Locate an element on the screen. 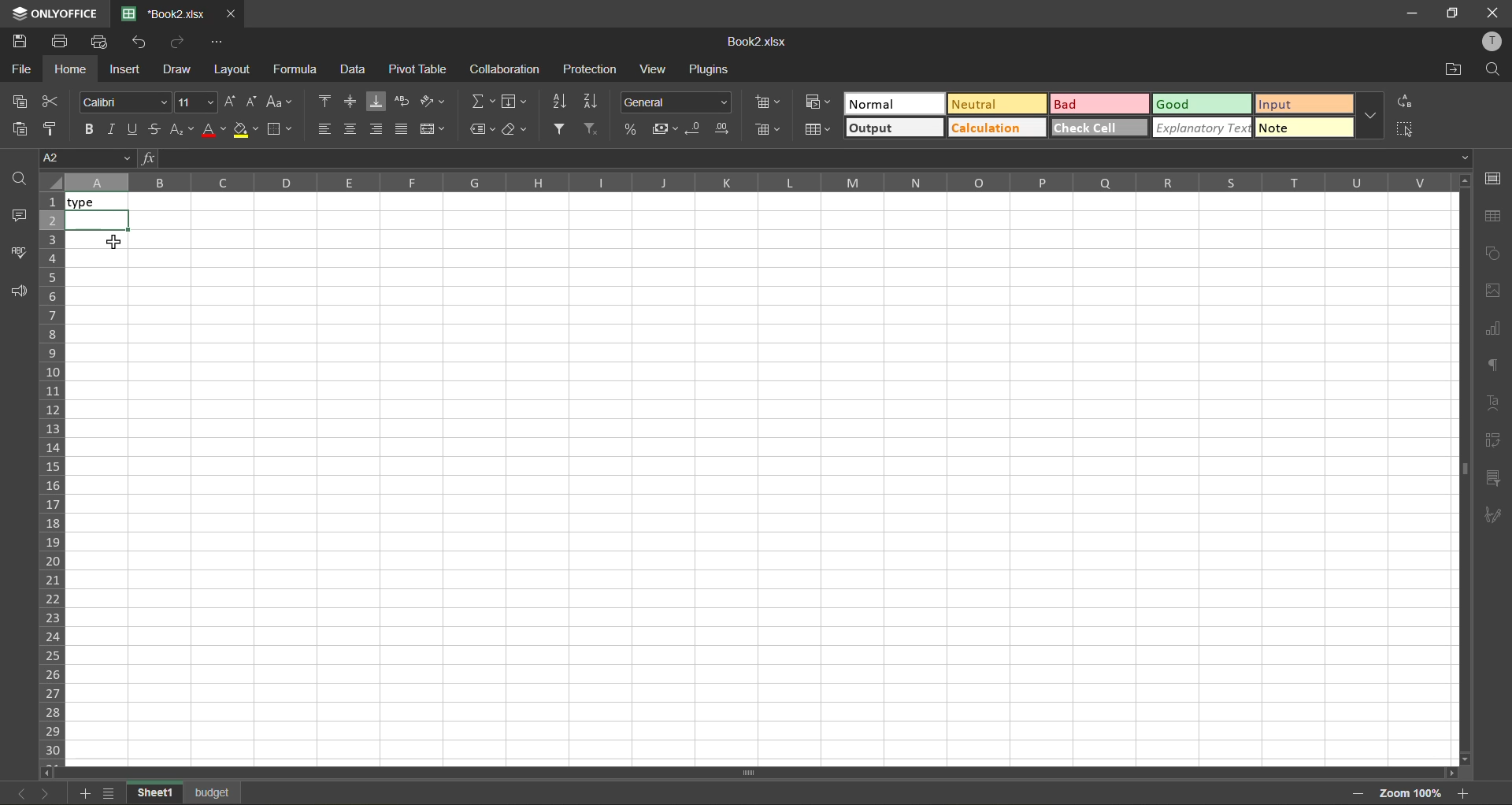 This screenshot has height=805, width=1512. font style is located at coordinates (123, 103).